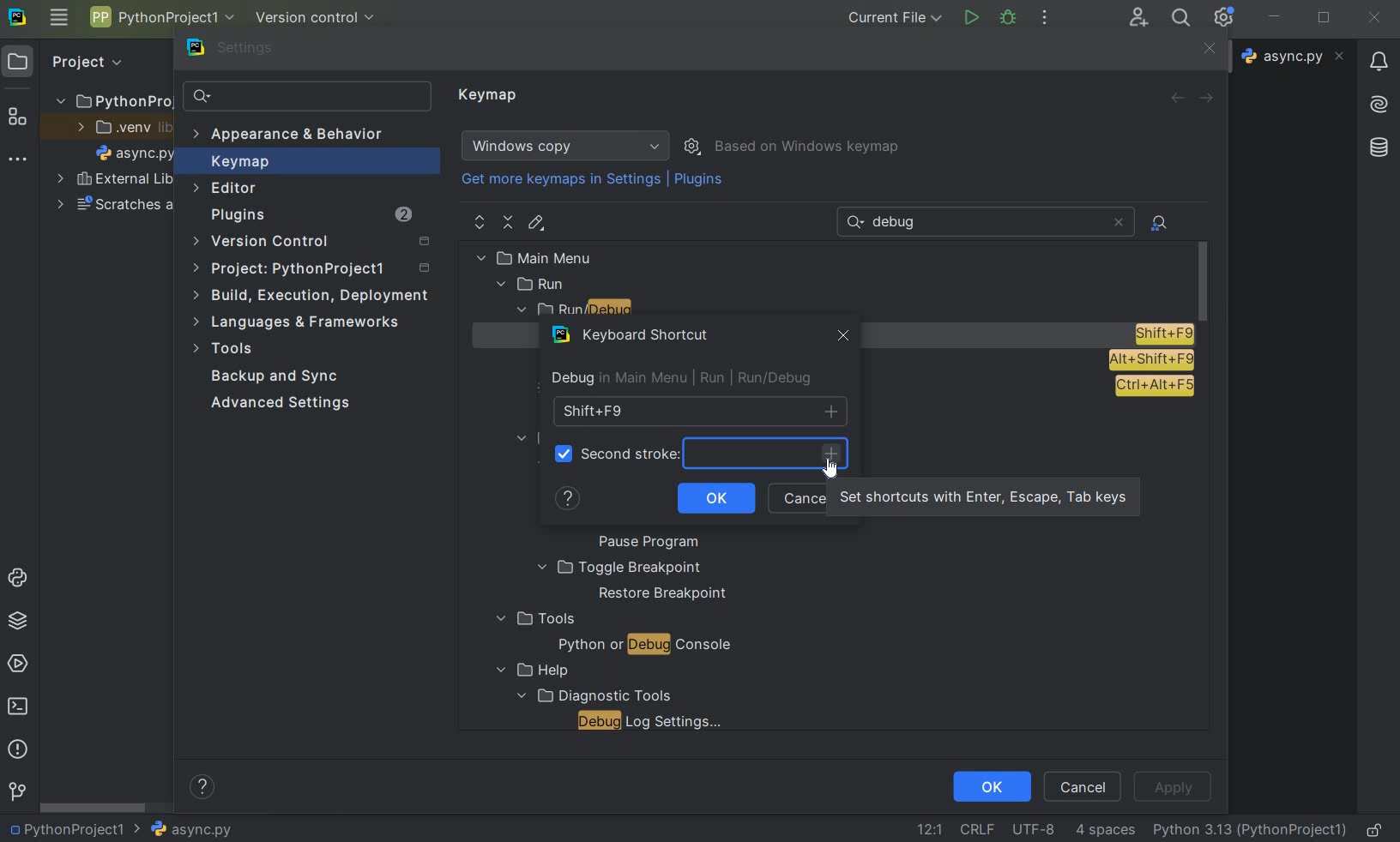 The height and width of the screenshot is (842, 1400). Describe the element at coordinates (490, 96) in the screenshot. I see `keymap` at that location.